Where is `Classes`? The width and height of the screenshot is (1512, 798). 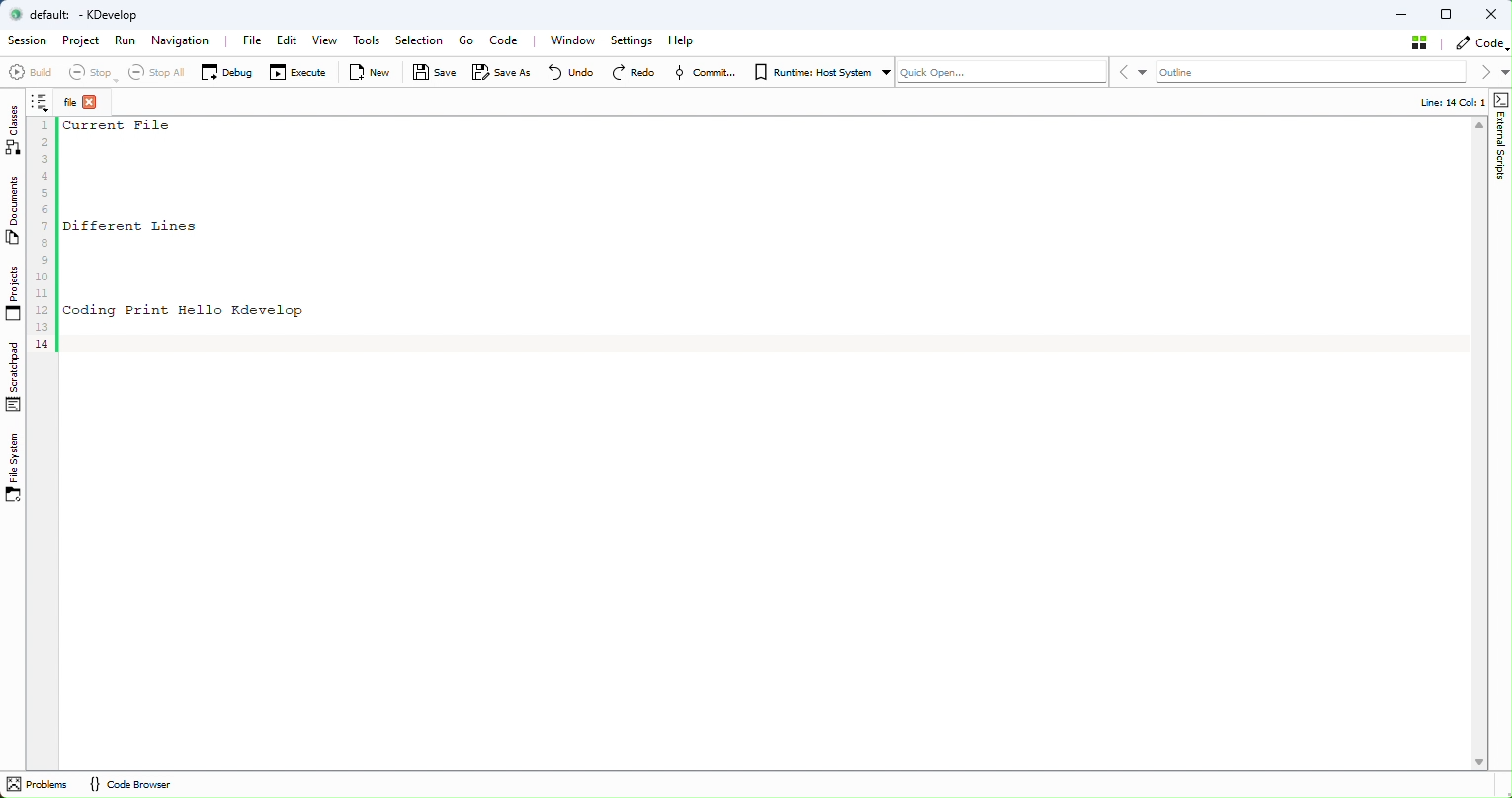 Classes is located at coordinates (17, 130).